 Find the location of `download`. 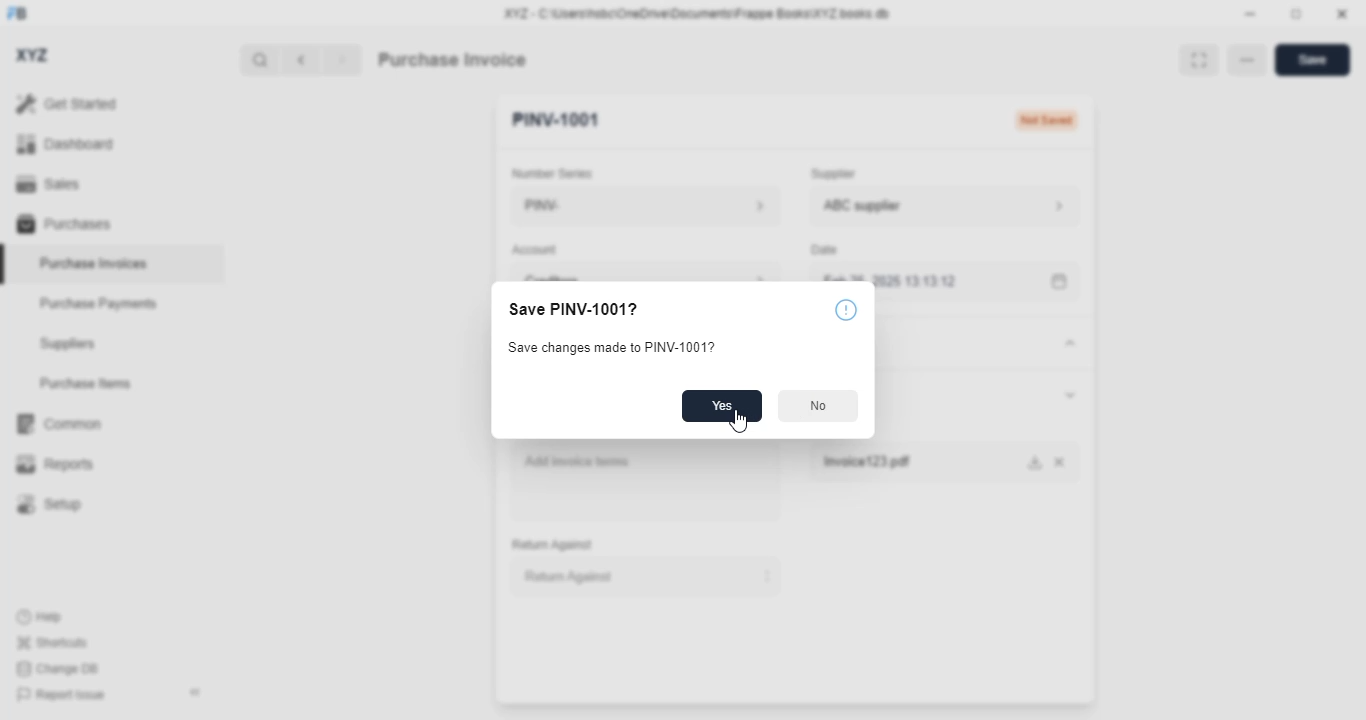

download is located at coordinates (1035, 462).